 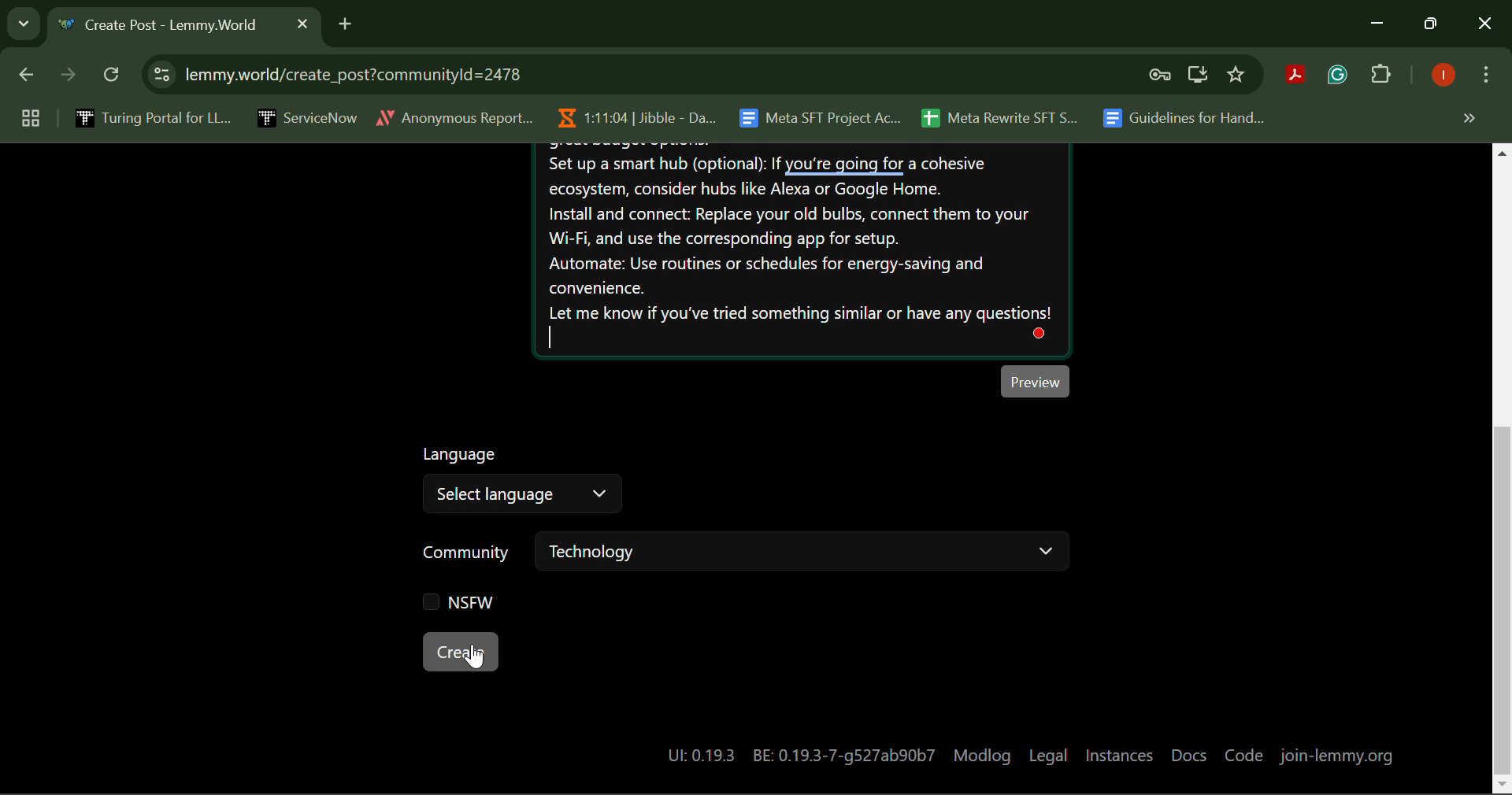 What do you see at coordinates (454, 115) in the screenshot?
I see `Anonymous Report` at bounding box center [454, 115].